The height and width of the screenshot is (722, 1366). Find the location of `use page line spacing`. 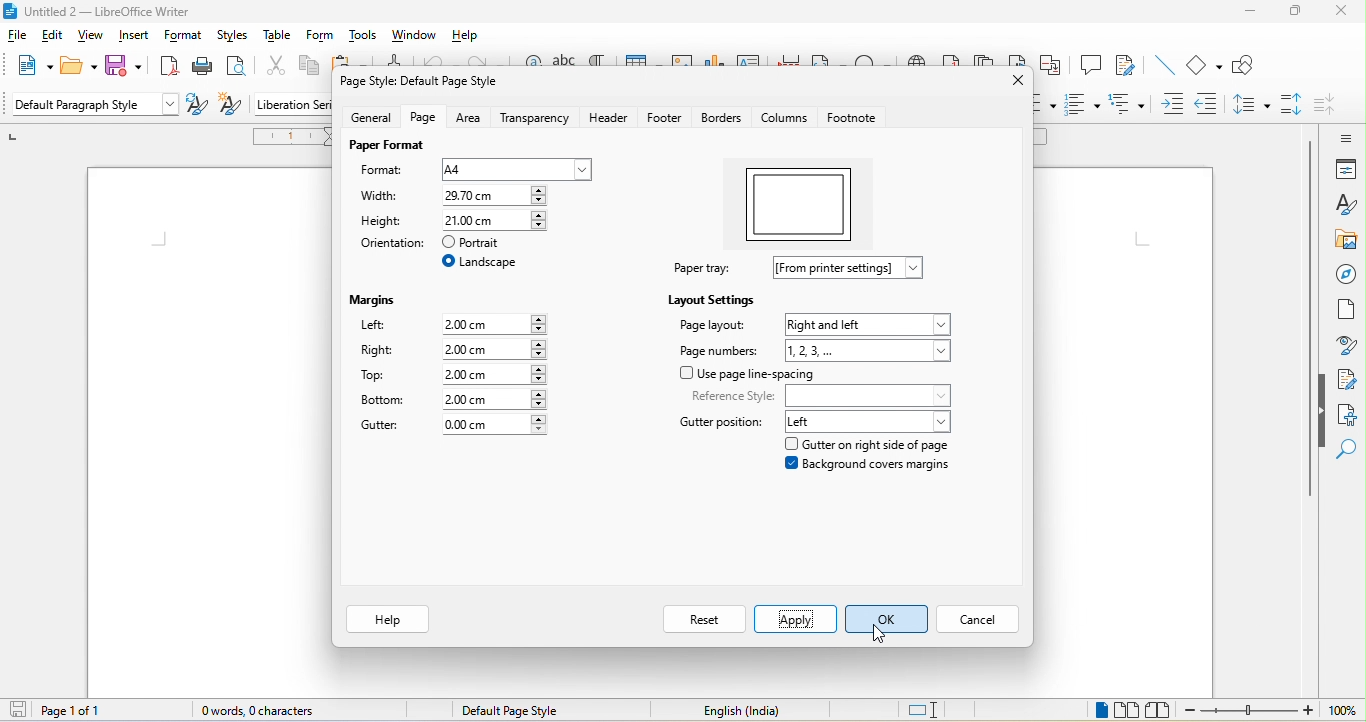

use page line spacing is located at coordinates (748, 373).